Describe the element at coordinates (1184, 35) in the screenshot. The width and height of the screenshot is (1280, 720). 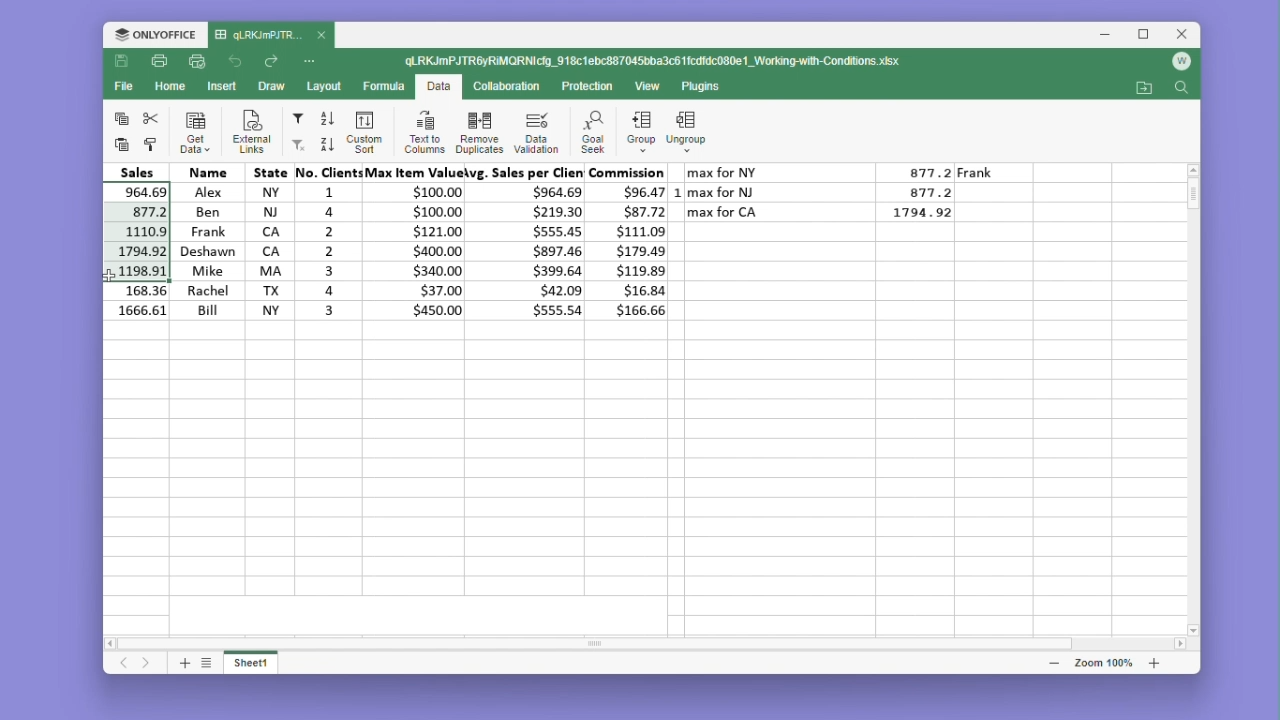
I see `Close` at that location.